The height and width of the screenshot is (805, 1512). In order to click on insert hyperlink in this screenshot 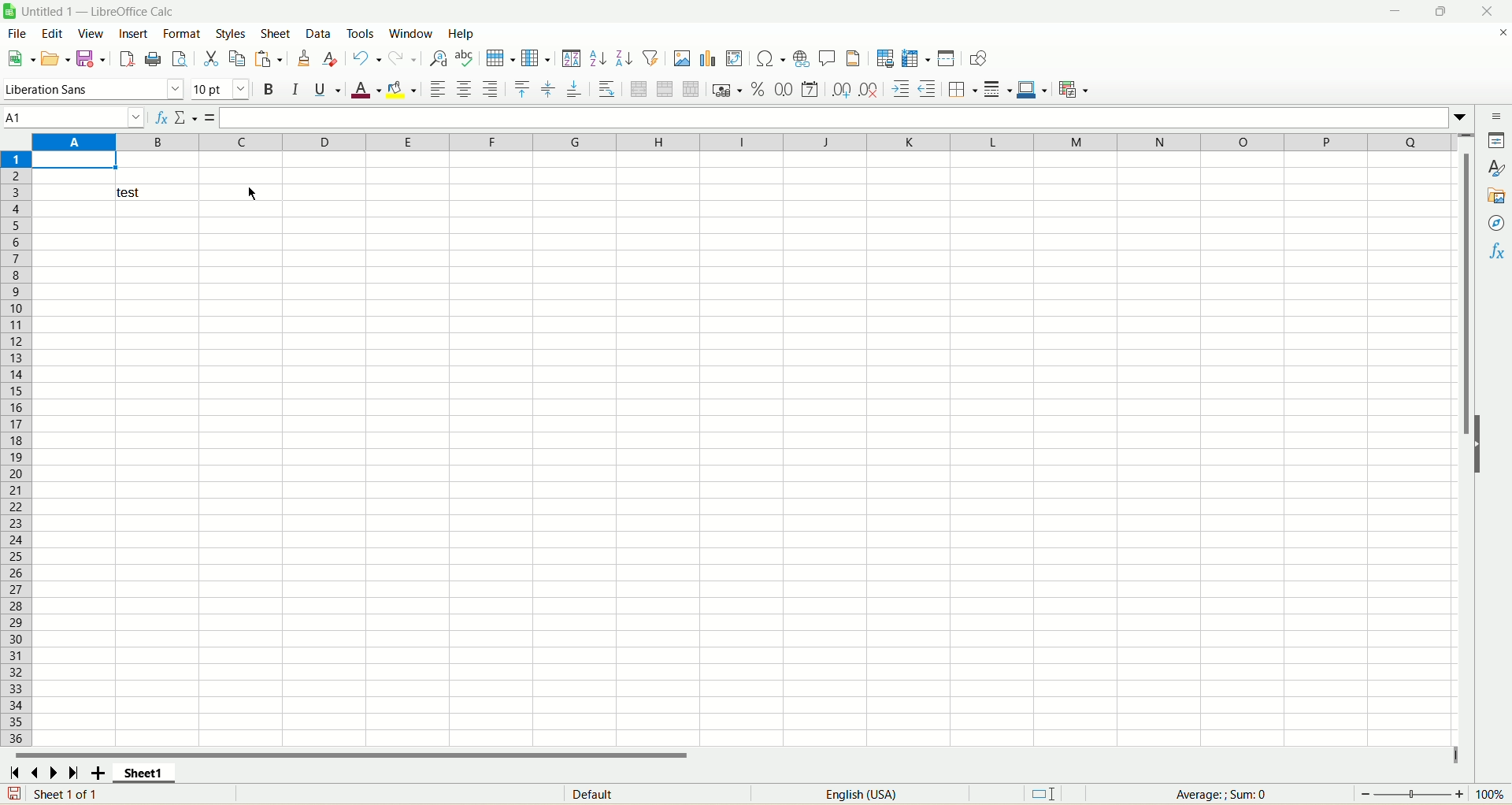, I will do `click(801, 59)`.